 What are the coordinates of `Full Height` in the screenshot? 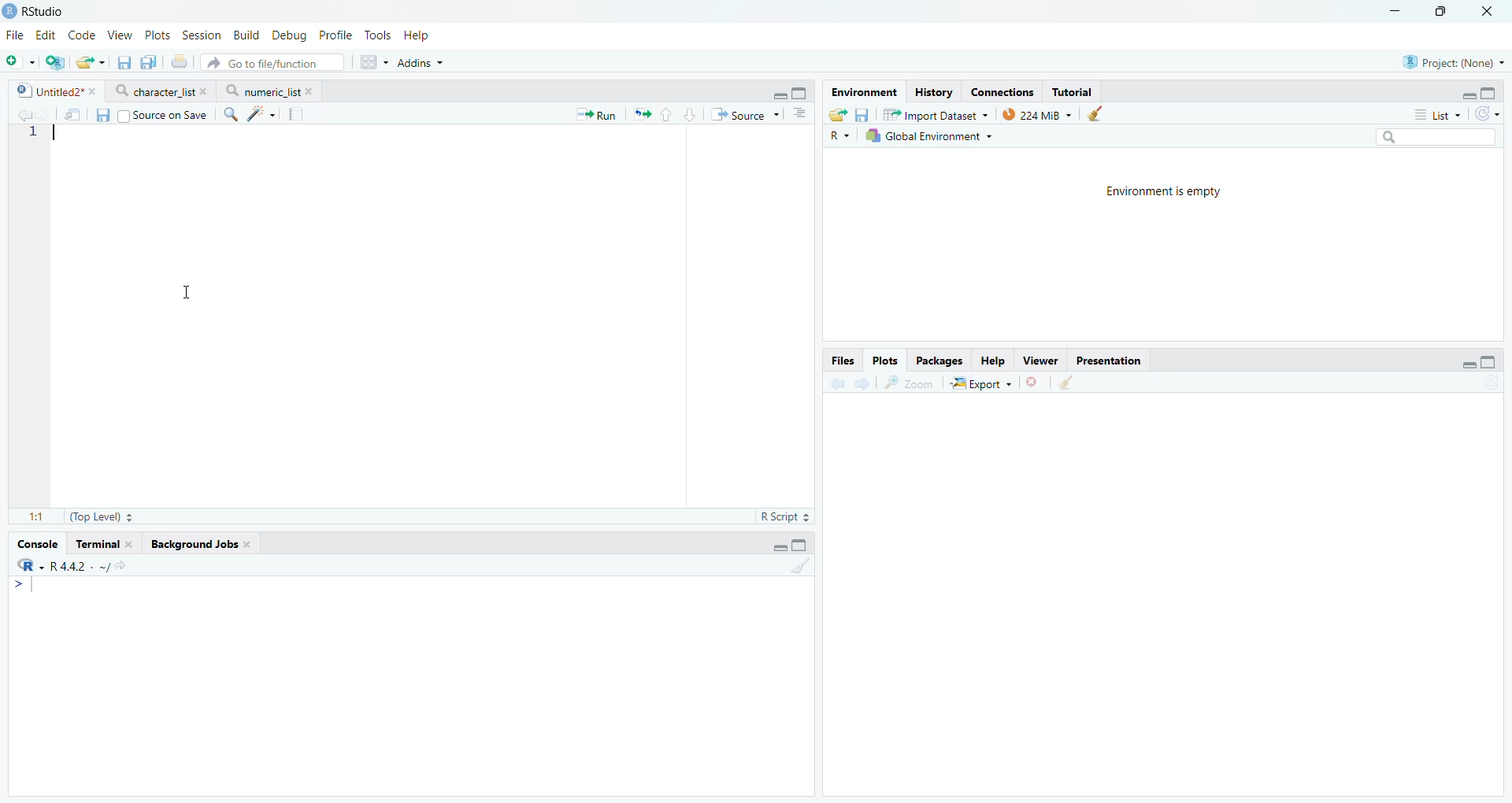 It's located at (1490, 361).